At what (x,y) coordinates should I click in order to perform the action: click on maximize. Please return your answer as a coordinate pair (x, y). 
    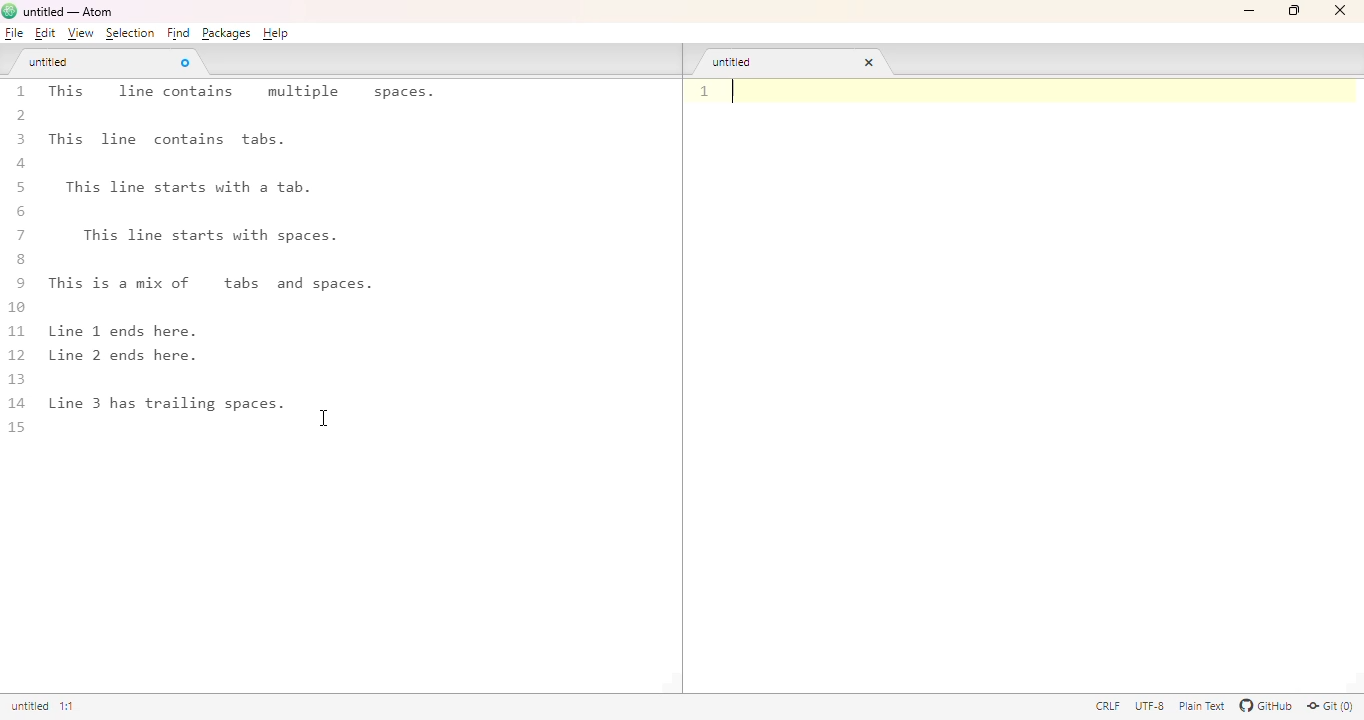
    Looking at the image, I should click on (1296, 9).